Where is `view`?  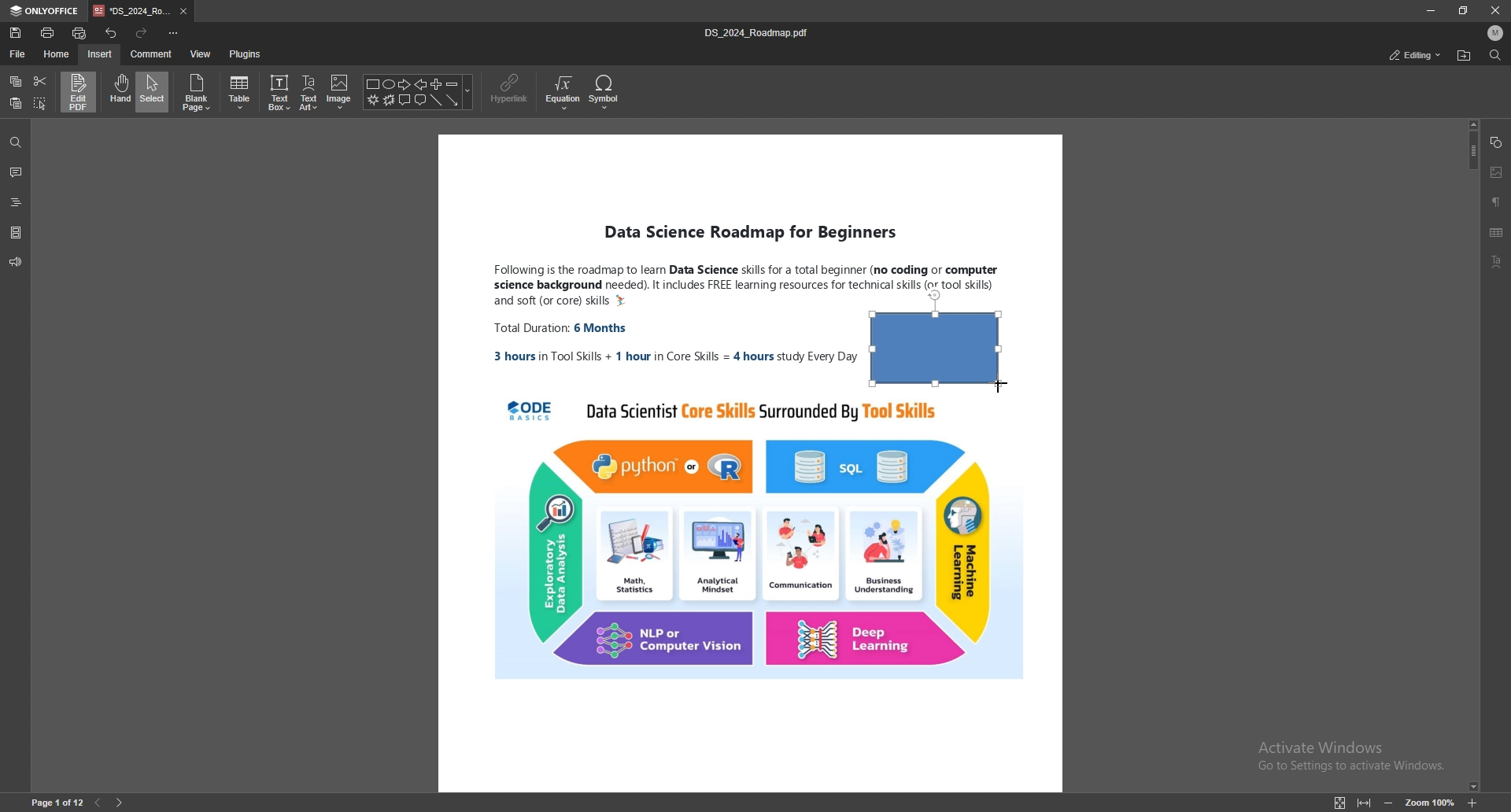 view is located at coordinates (201, 54).